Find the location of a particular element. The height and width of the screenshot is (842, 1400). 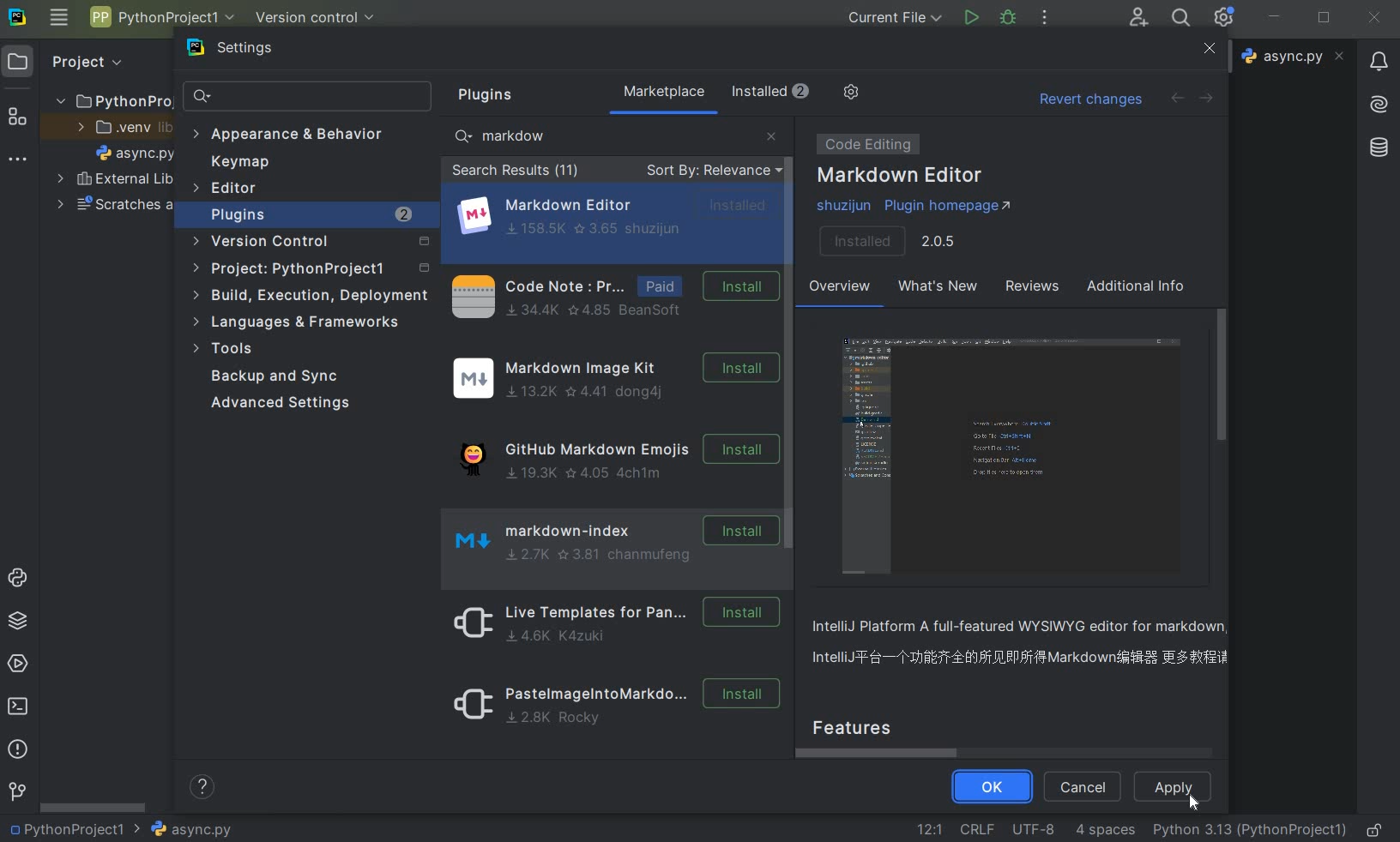

project is located at coordinates (309, 270).